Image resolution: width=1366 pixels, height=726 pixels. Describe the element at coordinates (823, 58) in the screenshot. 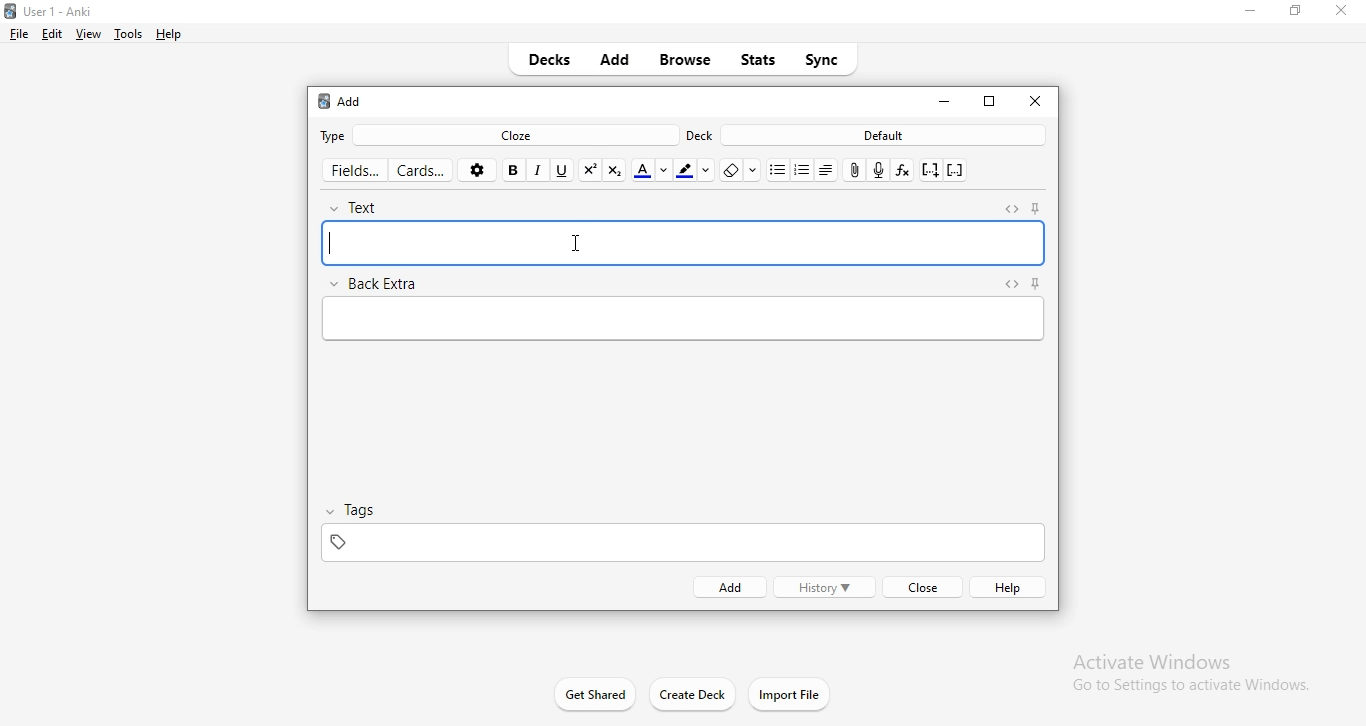

I see `sync` at that location.